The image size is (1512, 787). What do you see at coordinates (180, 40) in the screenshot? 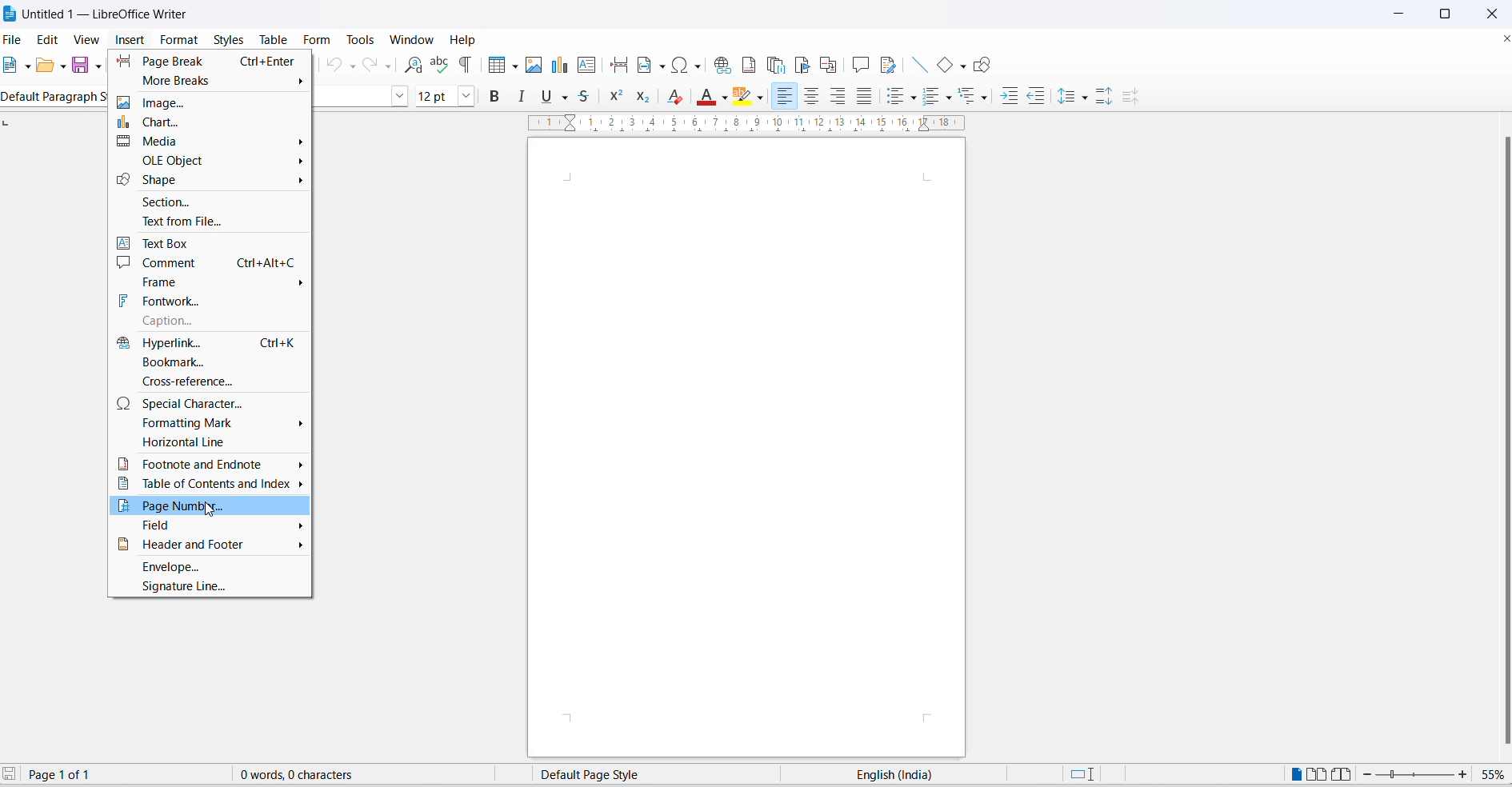
I see `format` at bounding box center [180, 40].